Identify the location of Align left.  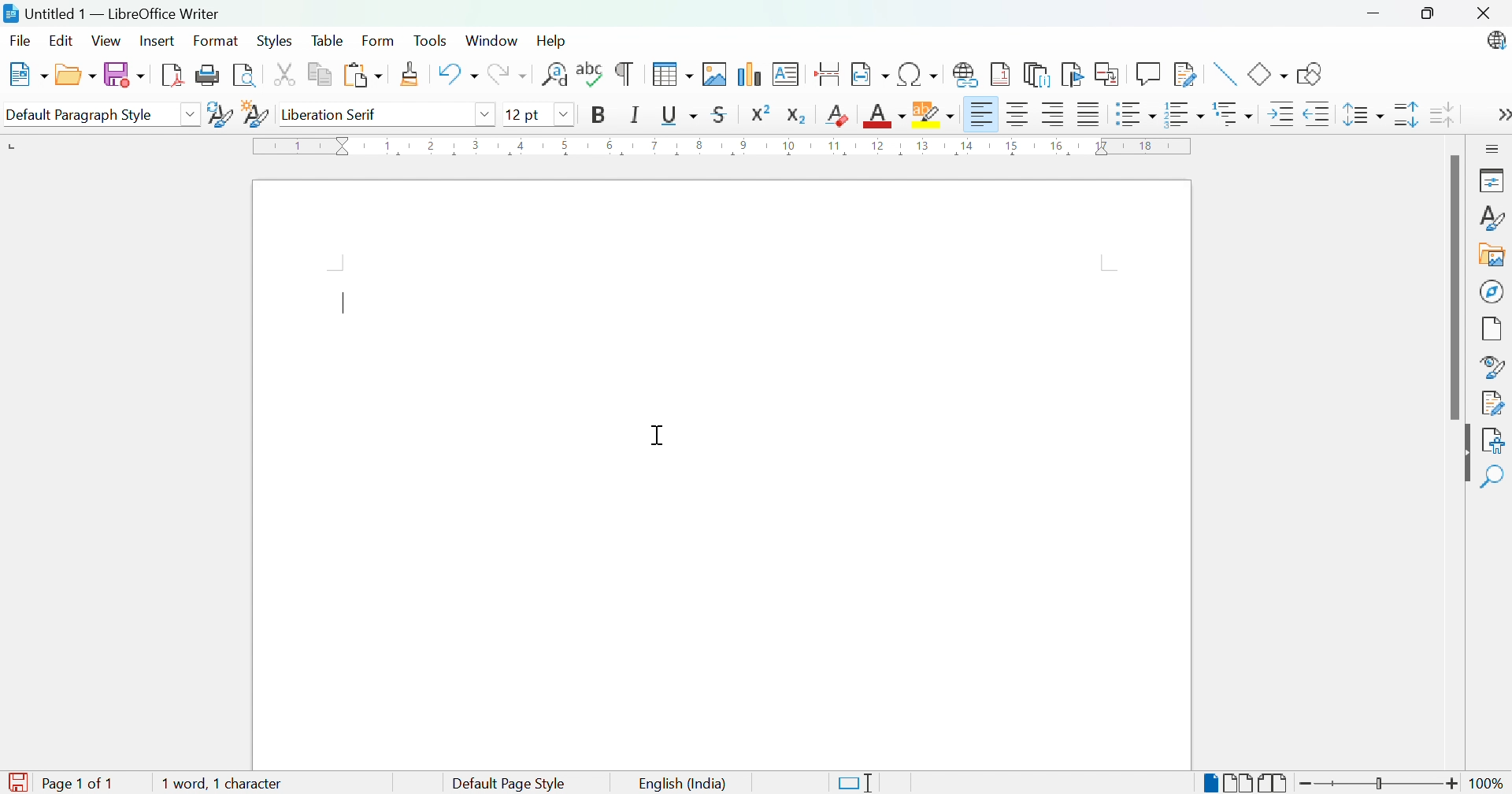
(982, 115).